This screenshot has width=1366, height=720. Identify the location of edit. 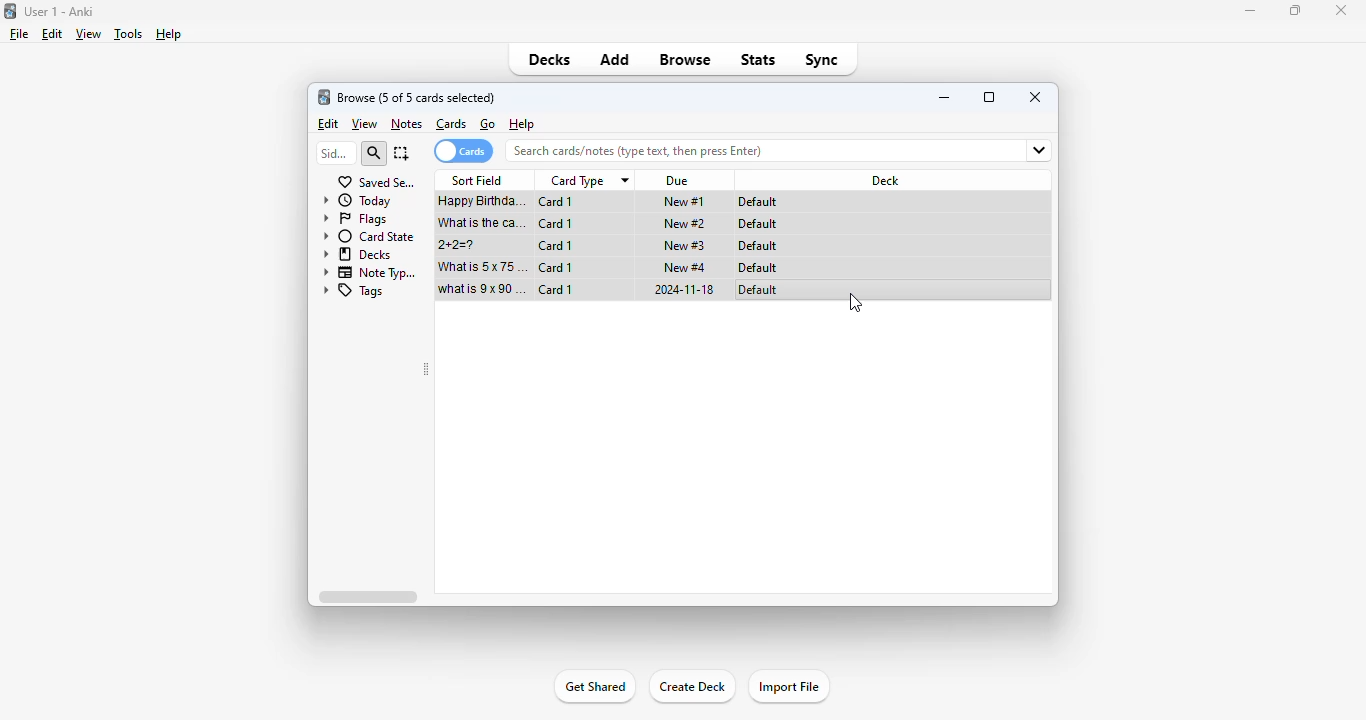
(330, 124).